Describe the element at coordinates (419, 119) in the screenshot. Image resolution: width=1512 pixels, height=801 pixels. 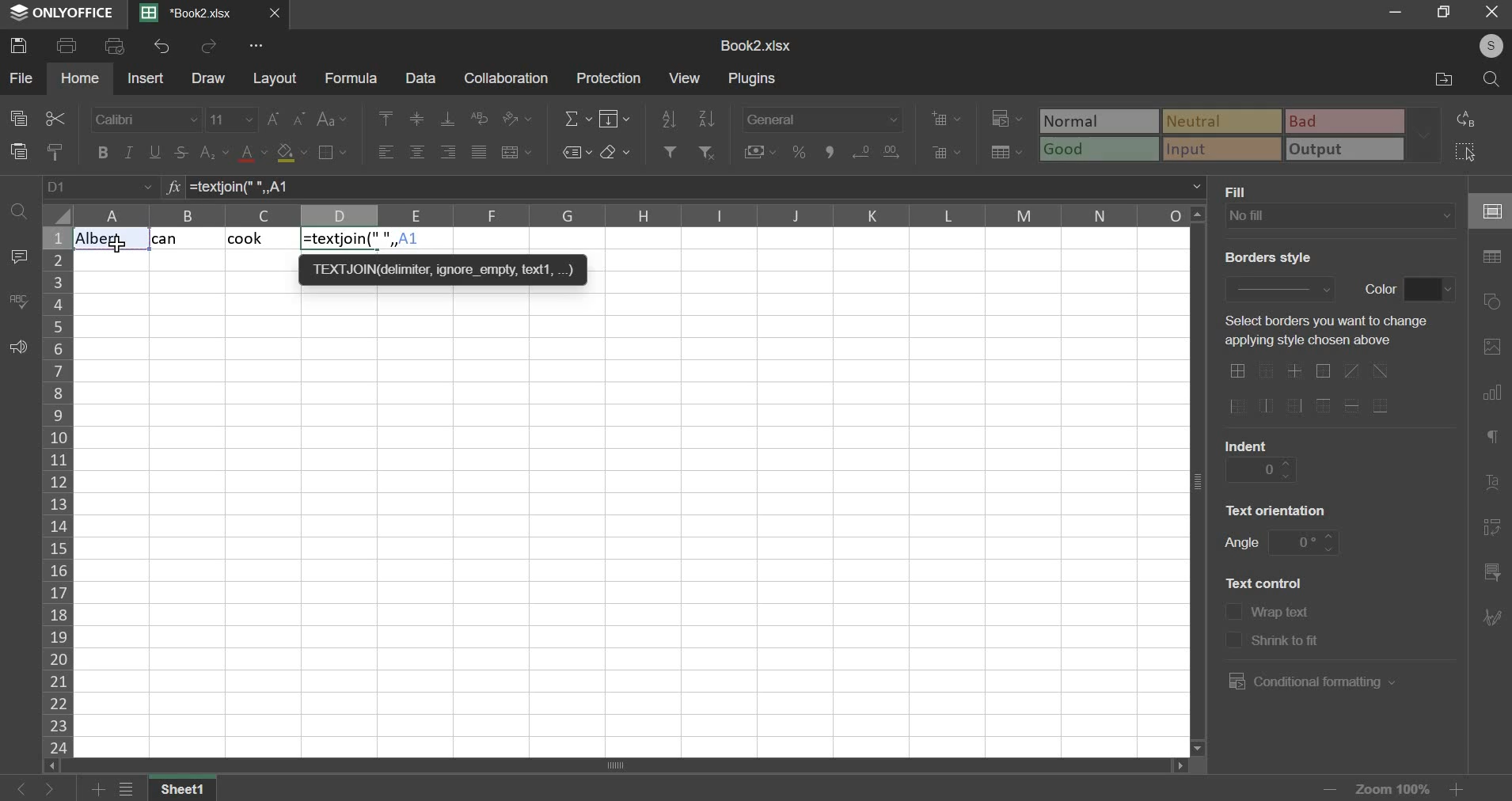
I see `align middle` at that location.